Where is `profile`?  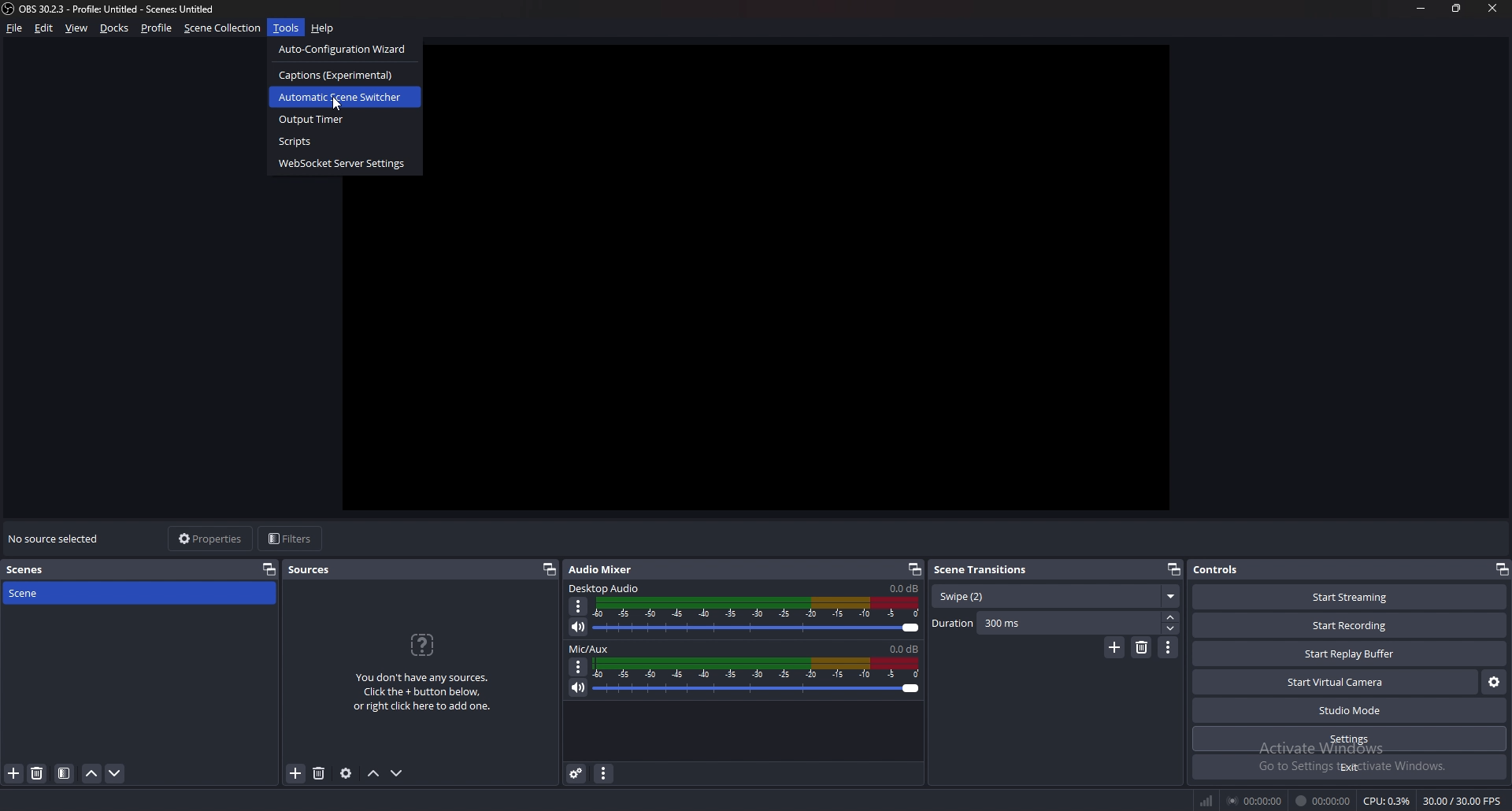
profile is located at coordinates (157, 28).